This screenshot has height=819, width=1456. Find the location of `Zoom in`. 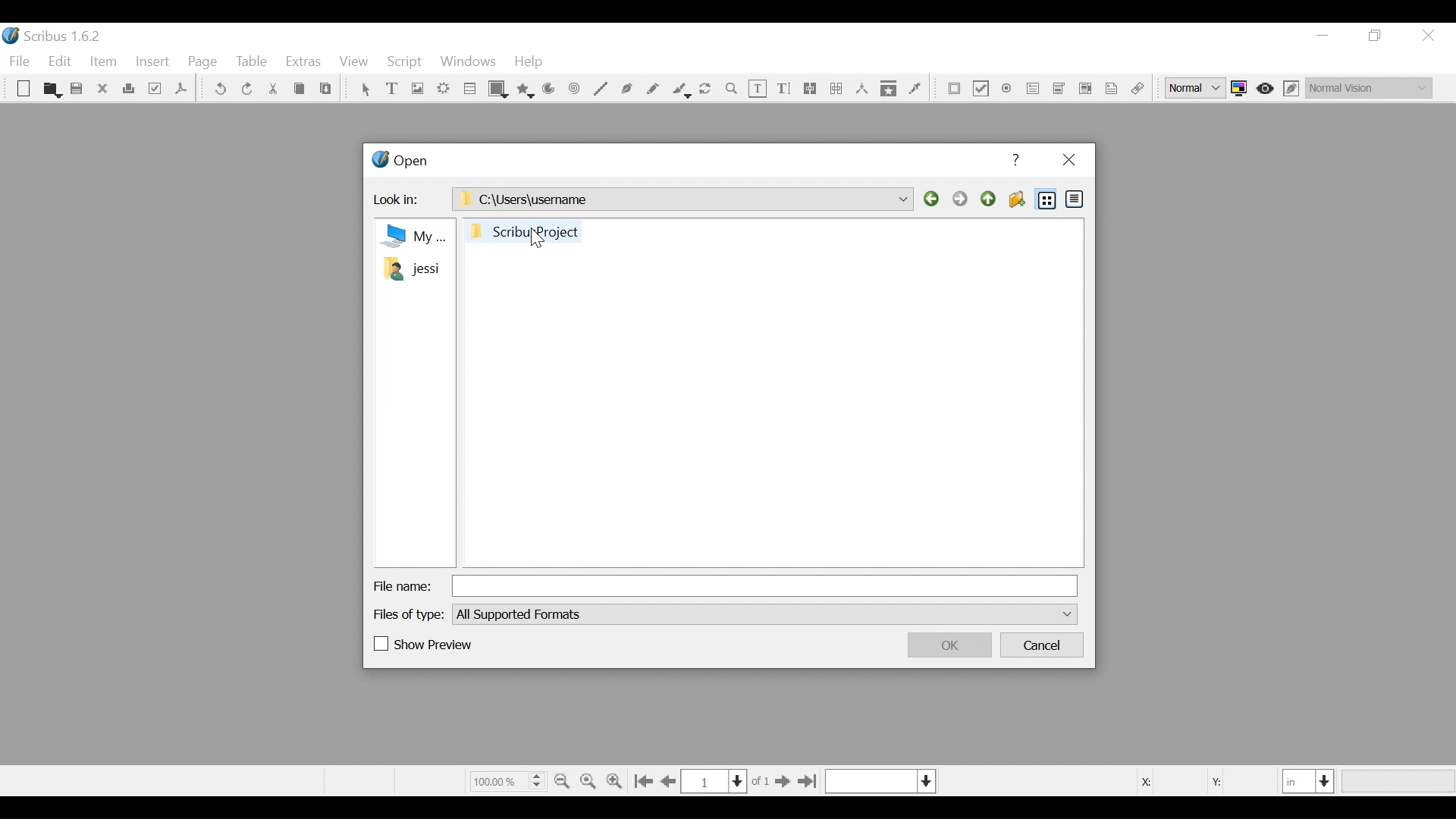

Zoom in is located at coordinates (617, 780).